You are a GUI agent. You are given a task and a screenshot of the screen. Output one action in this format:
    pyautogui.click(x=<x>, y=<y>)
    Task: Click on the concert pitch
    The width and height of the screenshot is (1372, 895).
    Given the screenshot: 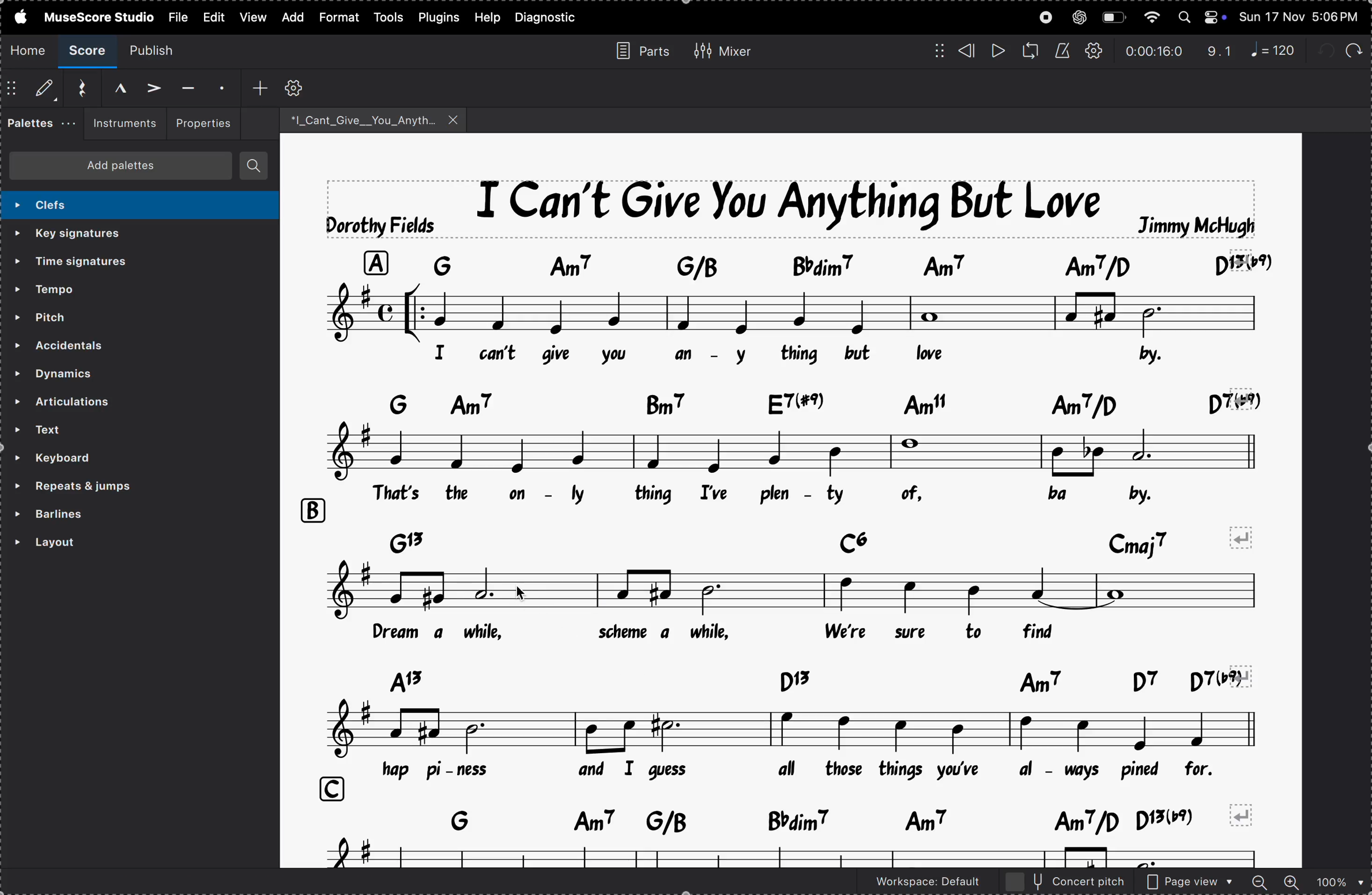 What is the action you would take?
    pyautogui.click(x=1066, y=882)
    